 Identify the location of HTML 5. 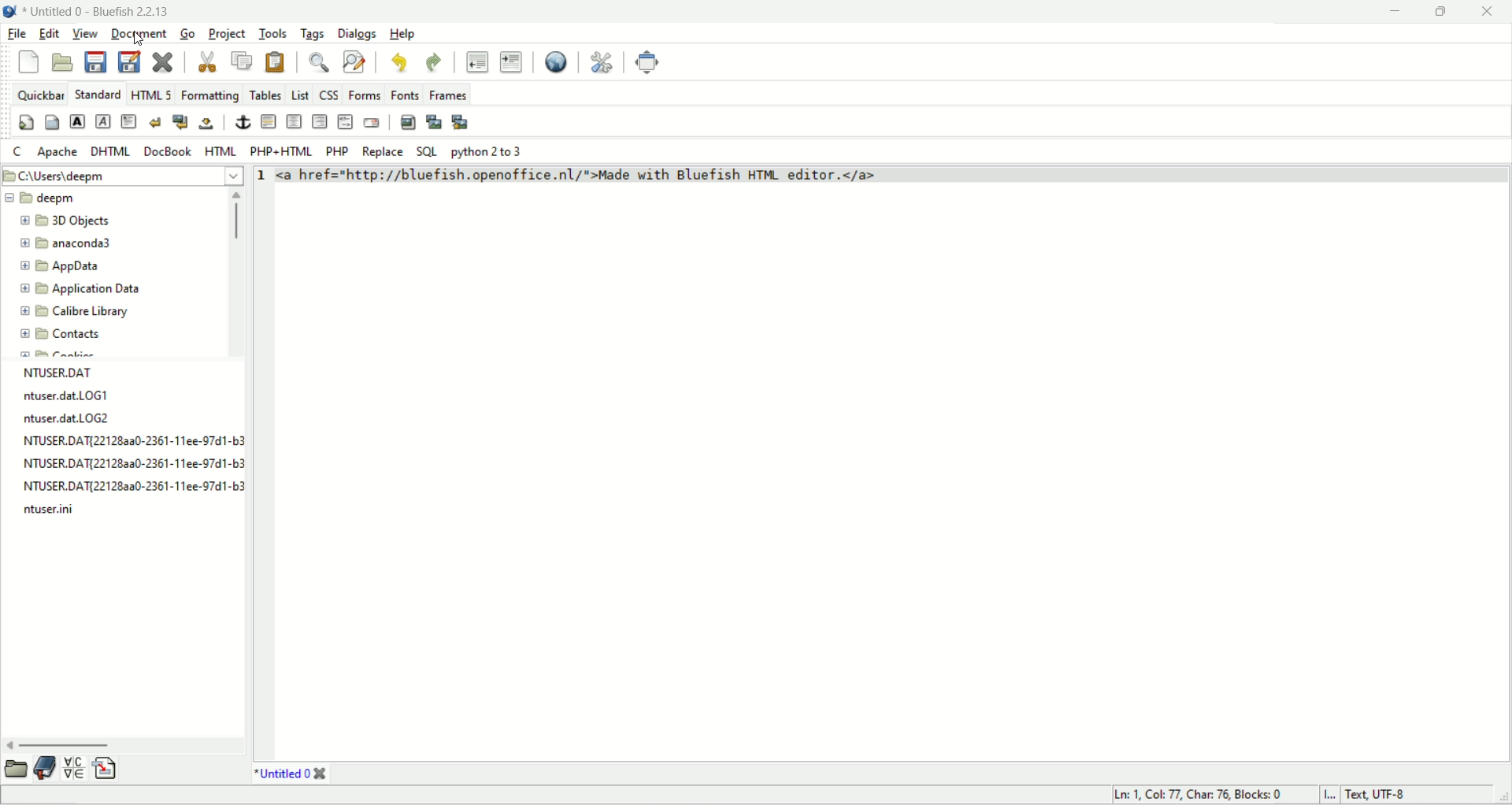
(151, 94).